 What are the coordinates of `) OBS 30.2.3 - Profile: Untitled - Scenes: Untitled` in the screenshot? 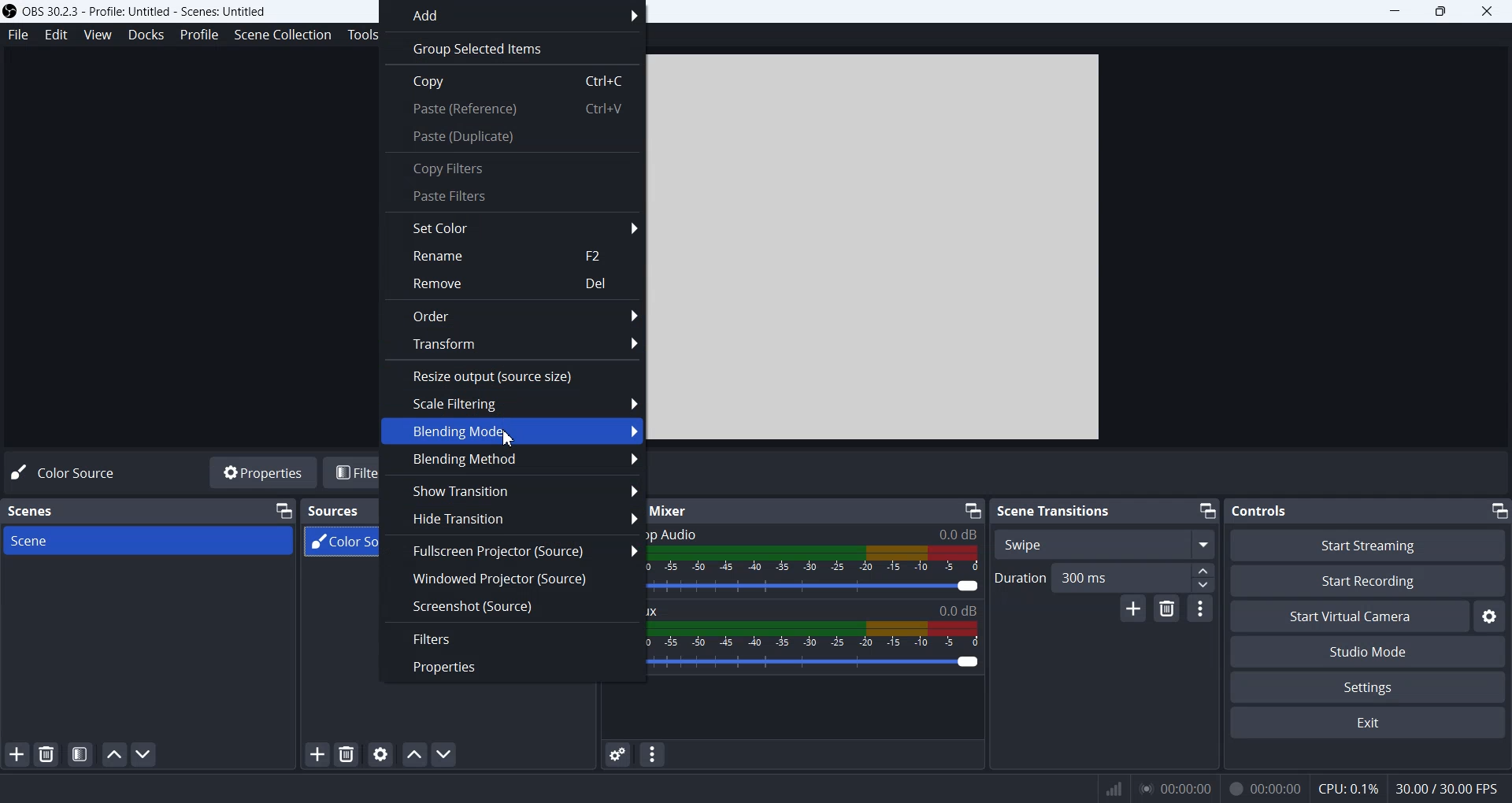 It's located at (142, 10).